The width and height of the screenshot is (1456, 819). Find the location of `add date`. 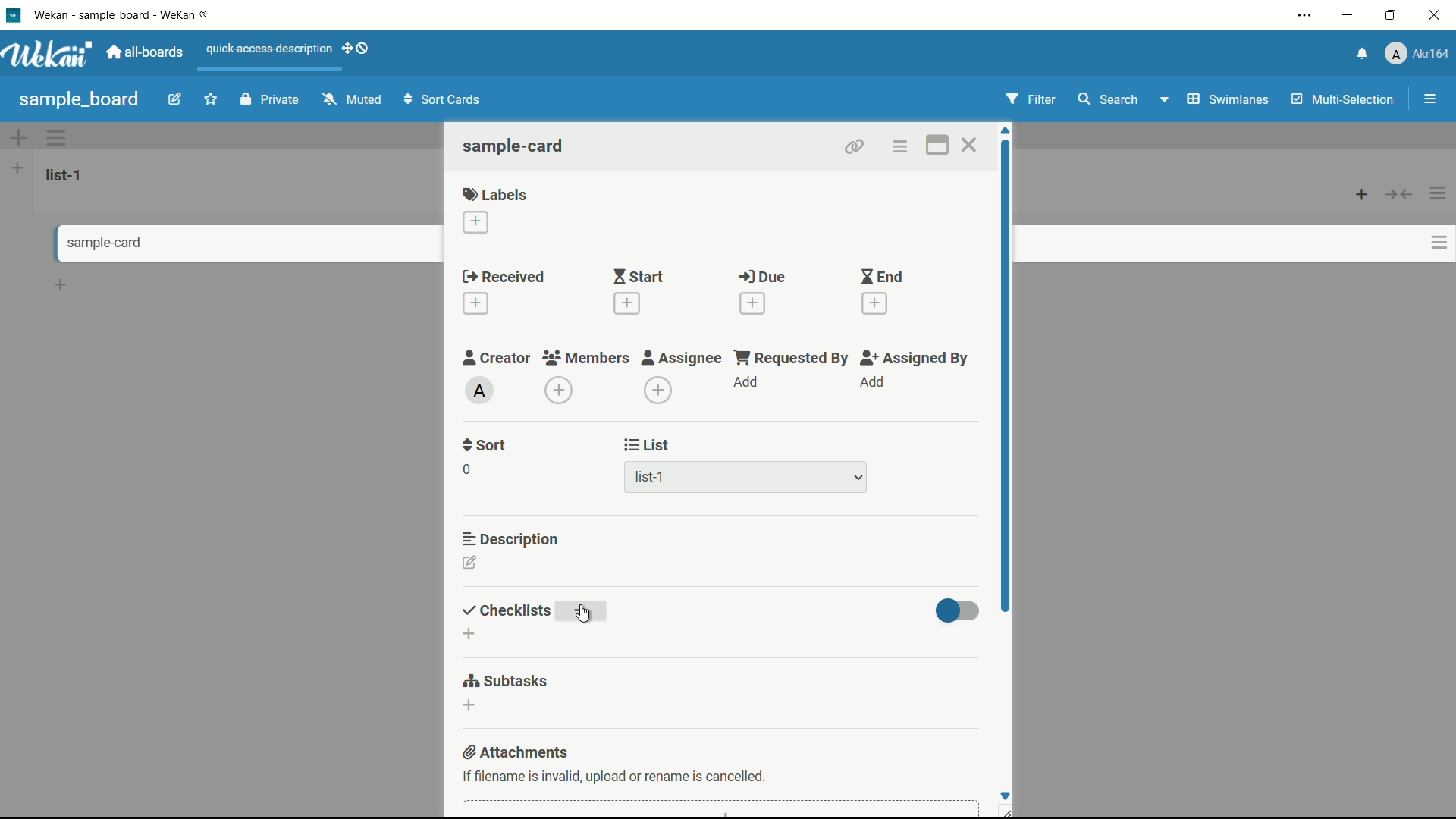

add date is located at coordinates (752, 303).